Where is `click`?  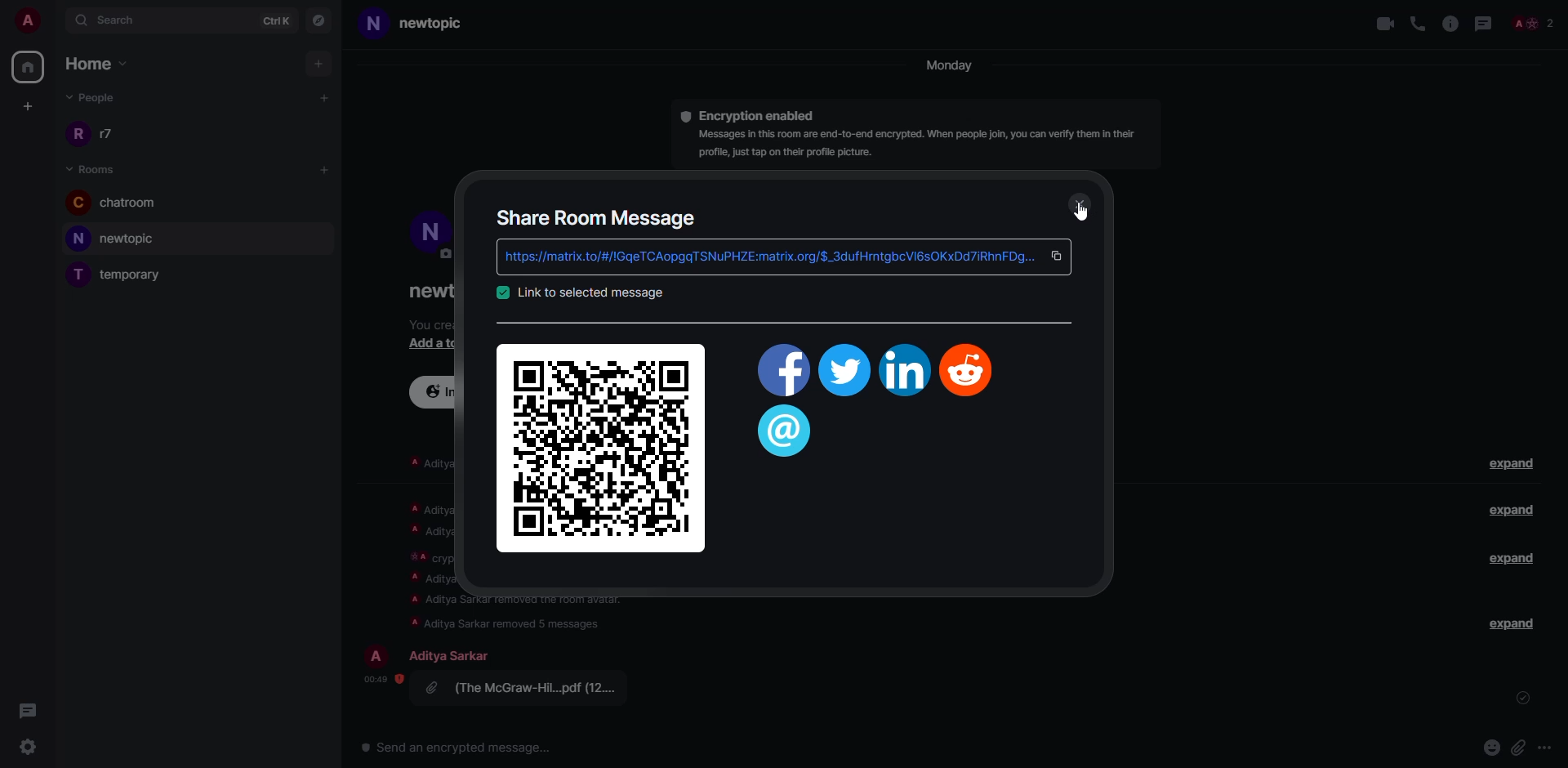
click is located at coordinates (1061, 255).